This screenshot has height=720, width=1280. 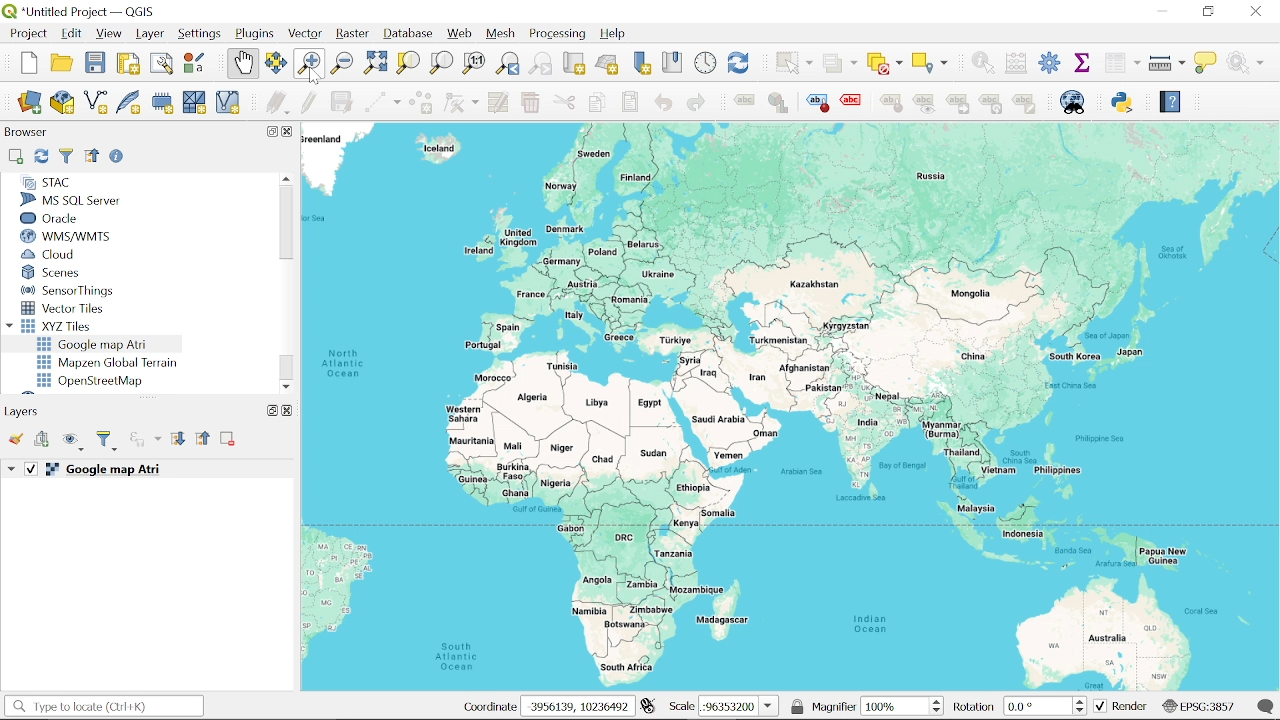 I want to click on Mesh, so click(x=502, y=34).